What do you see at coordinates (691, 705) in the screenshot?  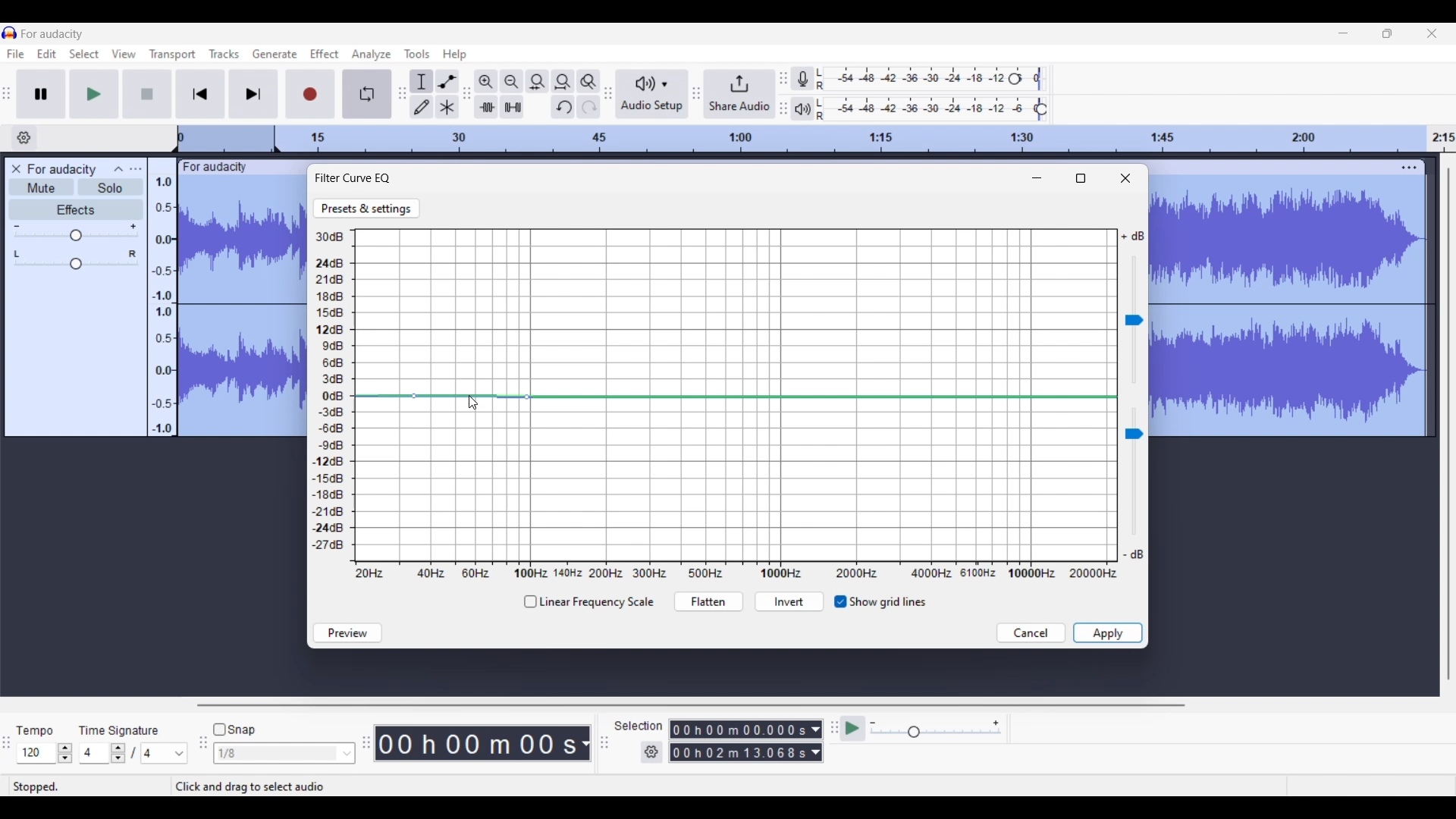 I see `Horizontal slide bar` at bounding box center [691, 705].